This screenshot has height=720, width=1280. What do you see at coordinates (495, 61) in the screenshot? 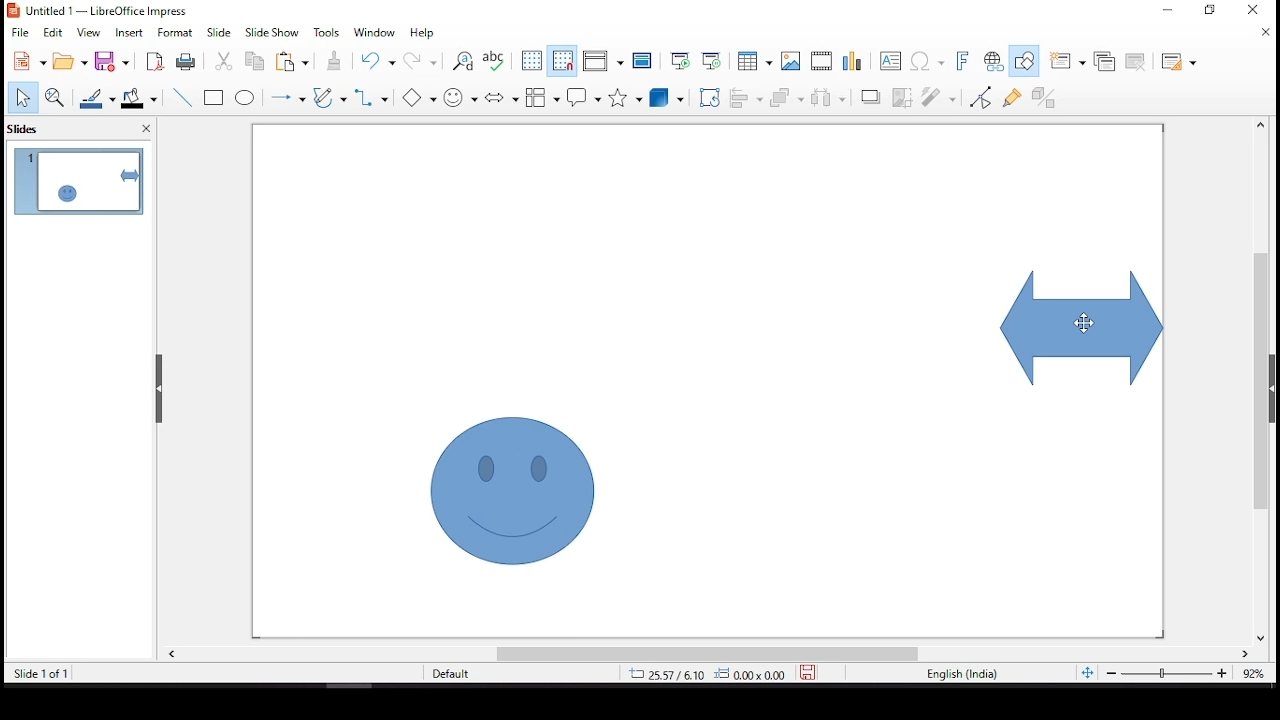
I see `spell check` at bounding box center [495, 61].